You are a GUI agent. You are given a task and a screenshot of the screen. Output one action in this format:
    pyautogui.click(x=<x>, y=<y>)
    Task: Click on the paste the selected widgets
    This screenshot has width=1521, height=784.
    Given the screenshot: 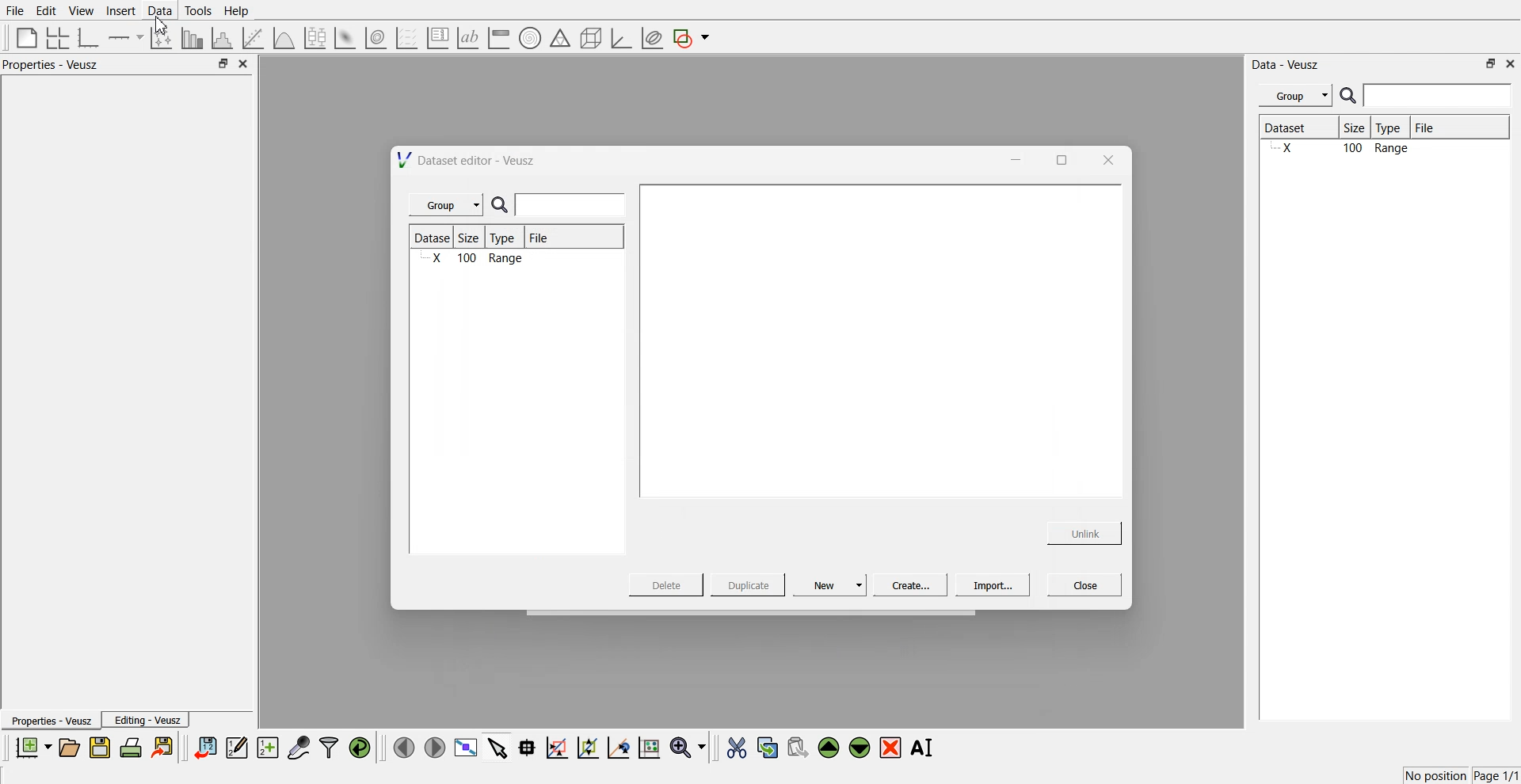 What is the action you would take?
    pyautogui.click(x=796, y=747)
    